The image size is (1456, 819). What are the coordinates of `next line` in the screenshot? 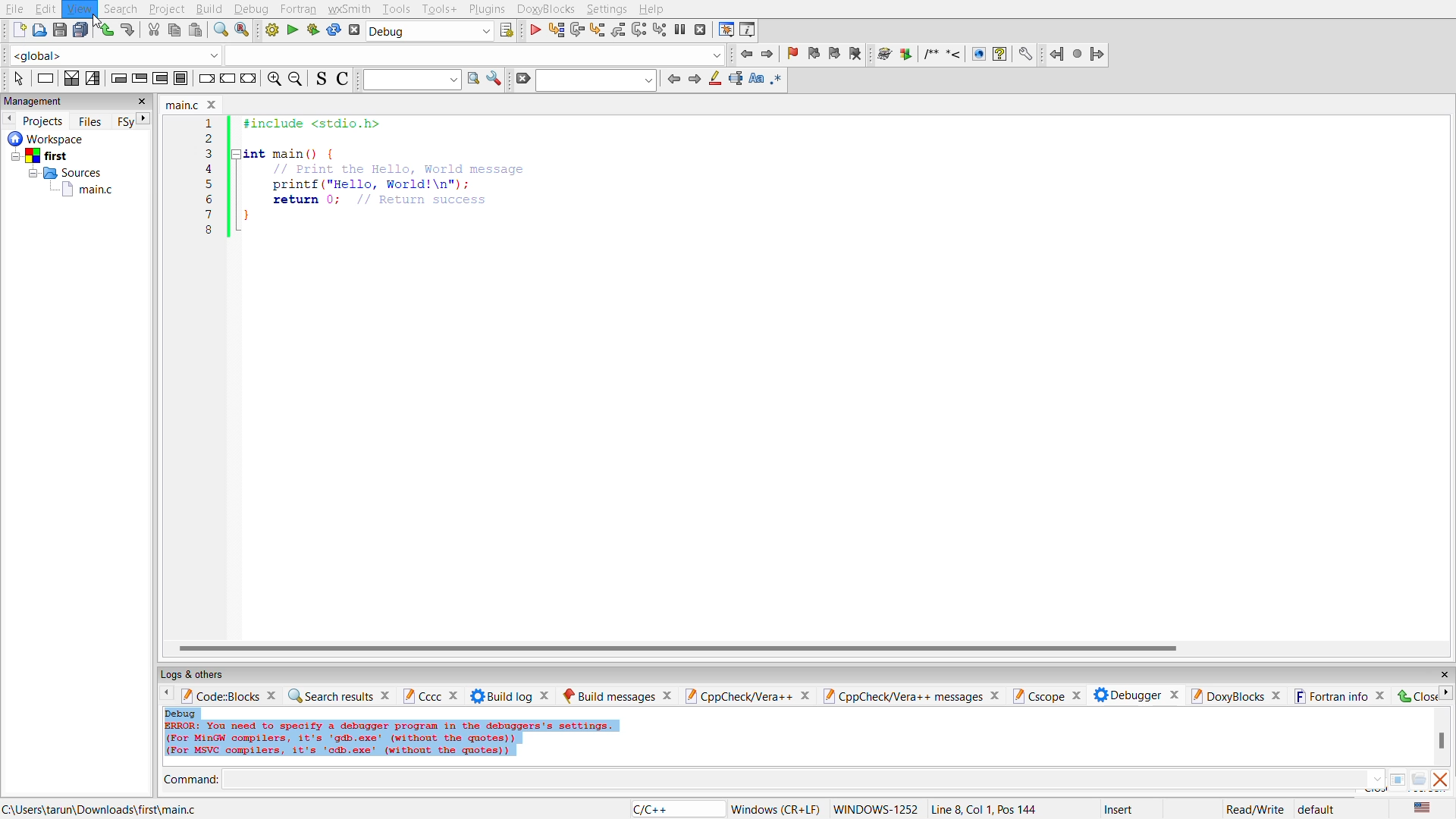 It's located at (577, 31).